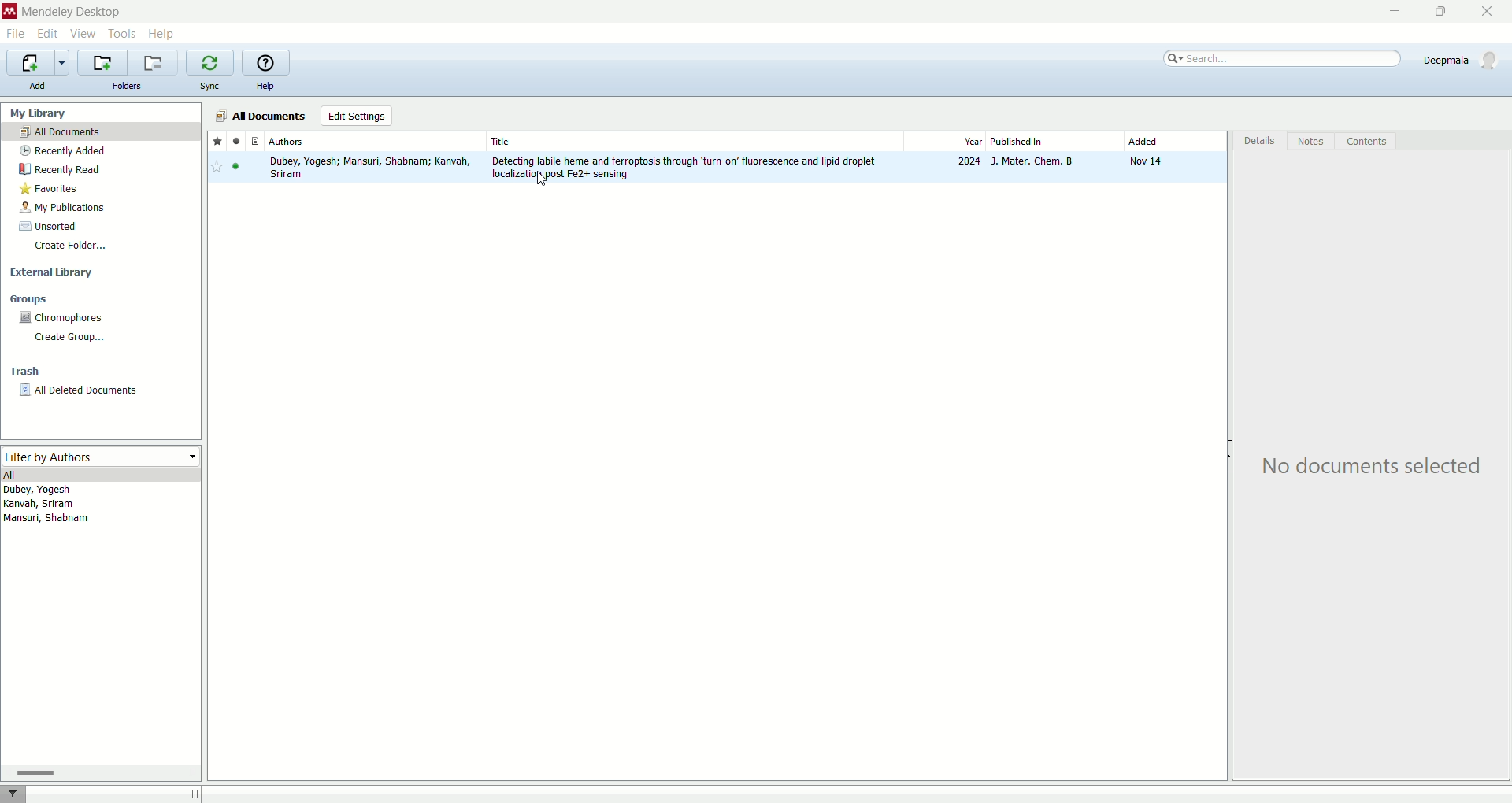 This screenshot has height=803, width=1512. Describe the element at coordinates (375, 142) in the screenshot. I see `authors` at that location.